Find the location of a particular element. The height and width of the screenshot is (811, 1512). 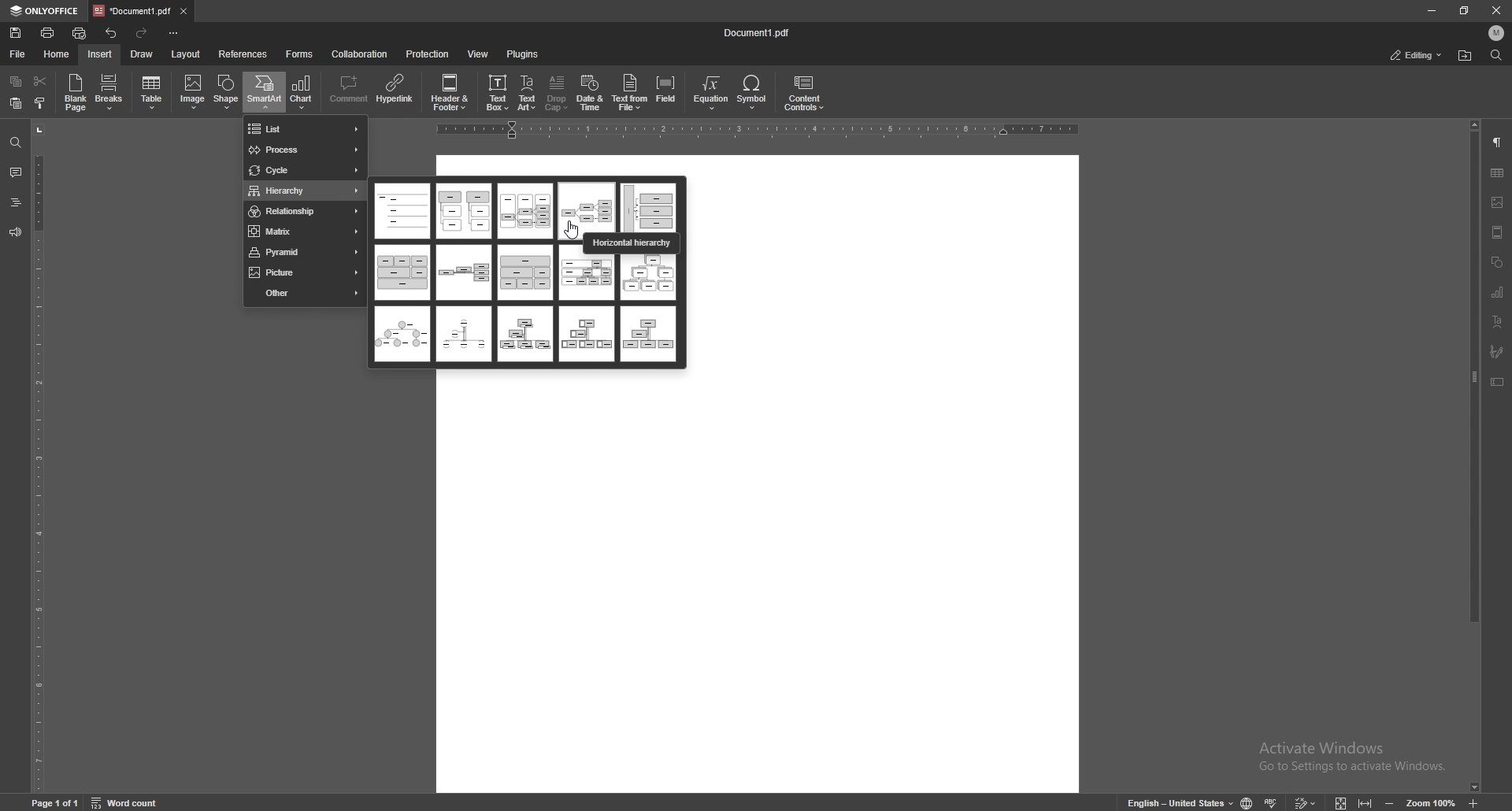

minimize is located at coordinates (1432, 10).